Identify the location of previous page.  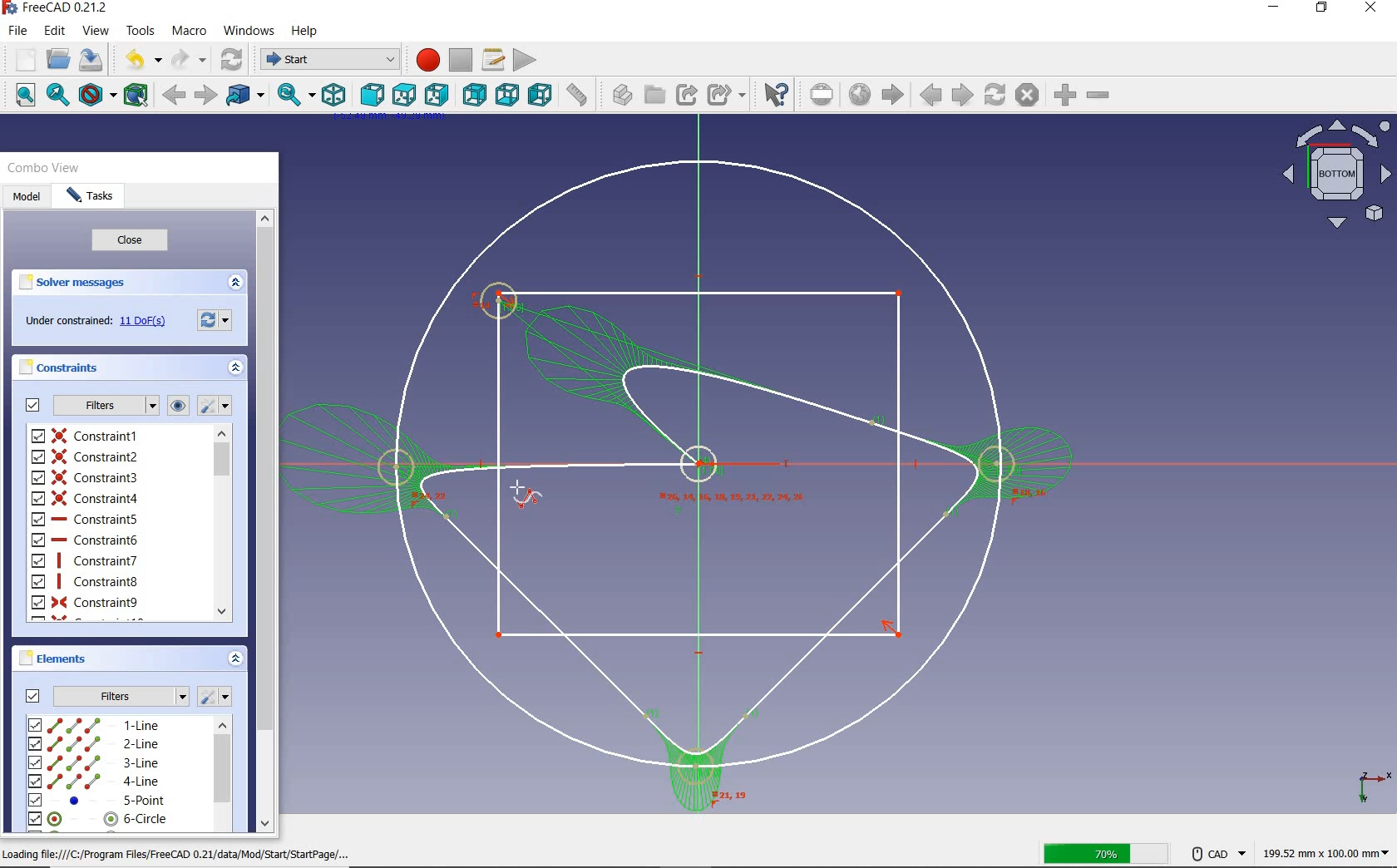
(931, 97).